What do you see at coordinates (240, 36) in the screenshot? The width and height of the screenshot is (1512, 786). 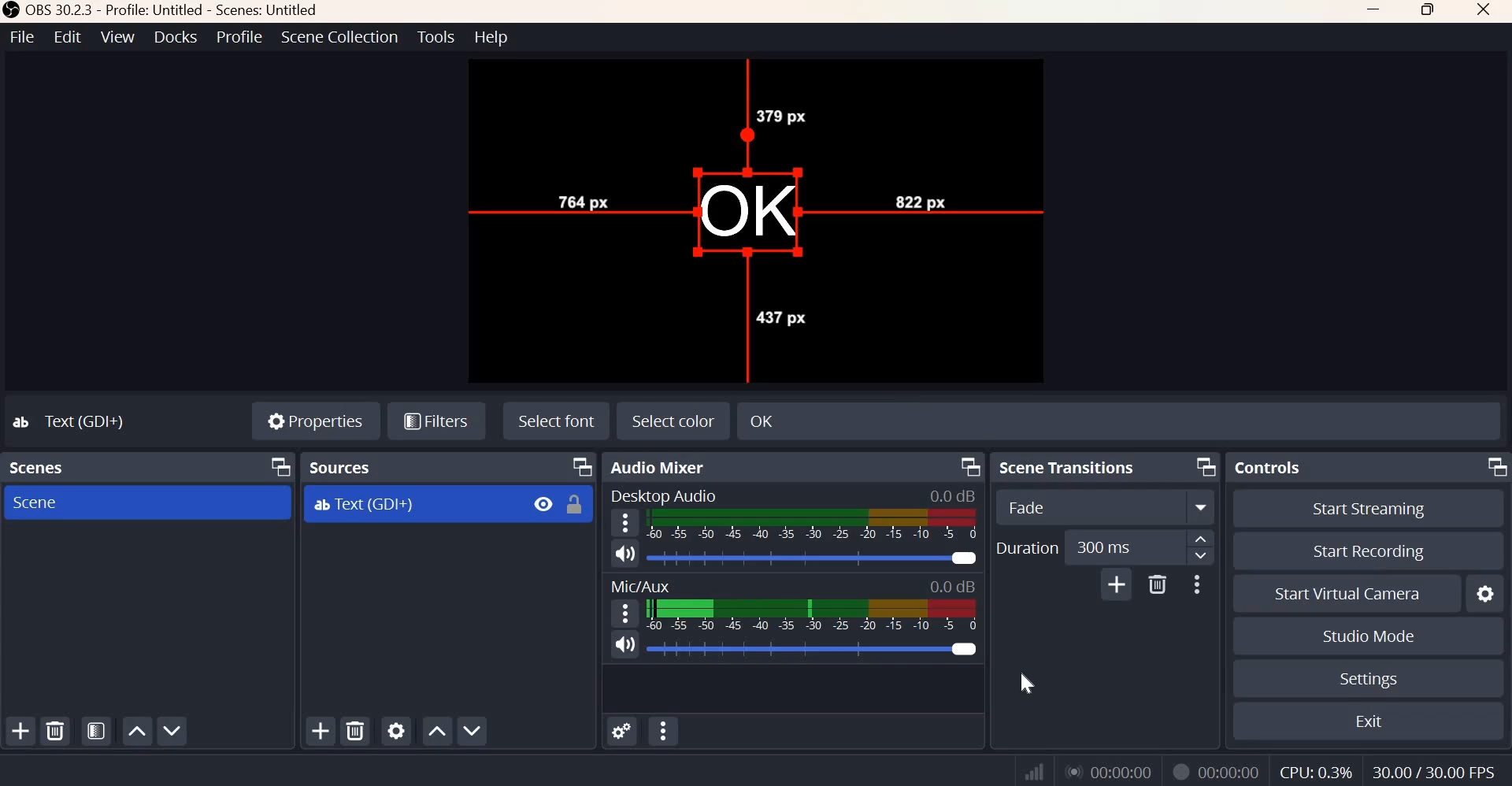 I see `Profile` at bounding box center [240, 36].